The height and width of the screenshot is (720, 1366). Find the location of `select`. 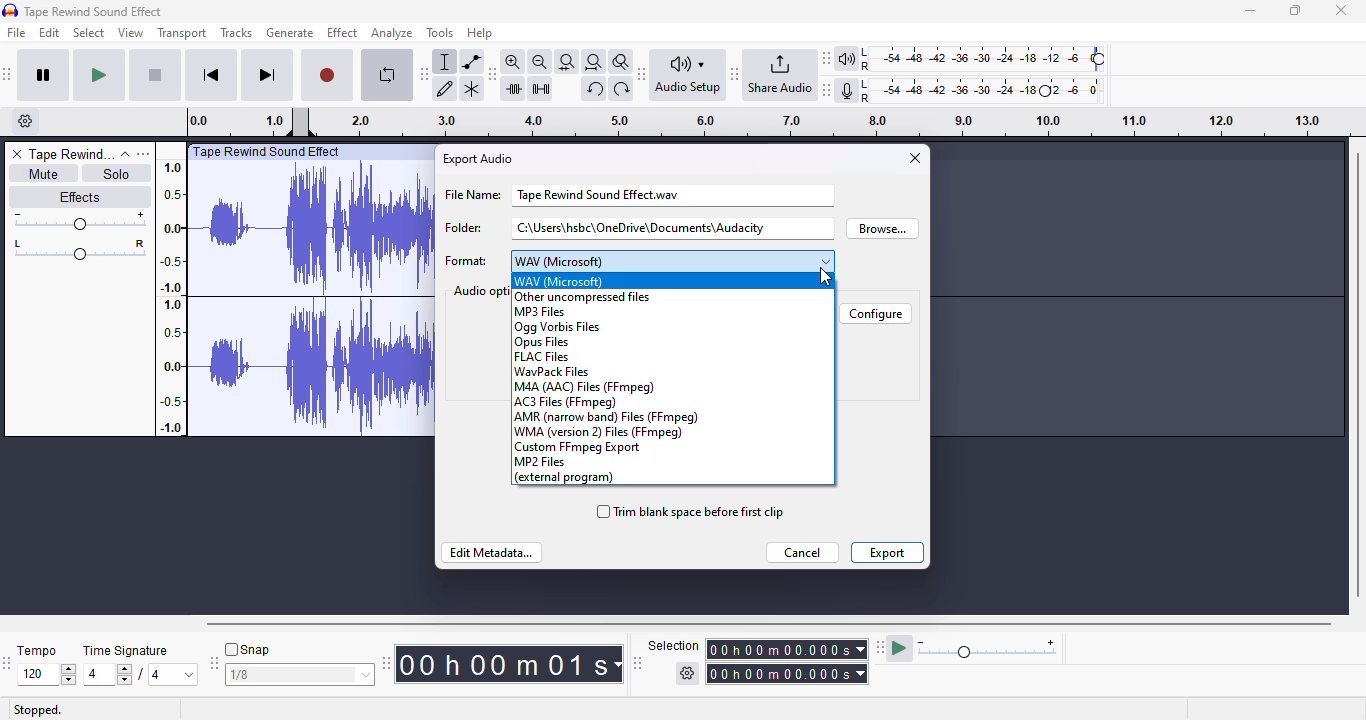

select is located at coordinates (90, 32).